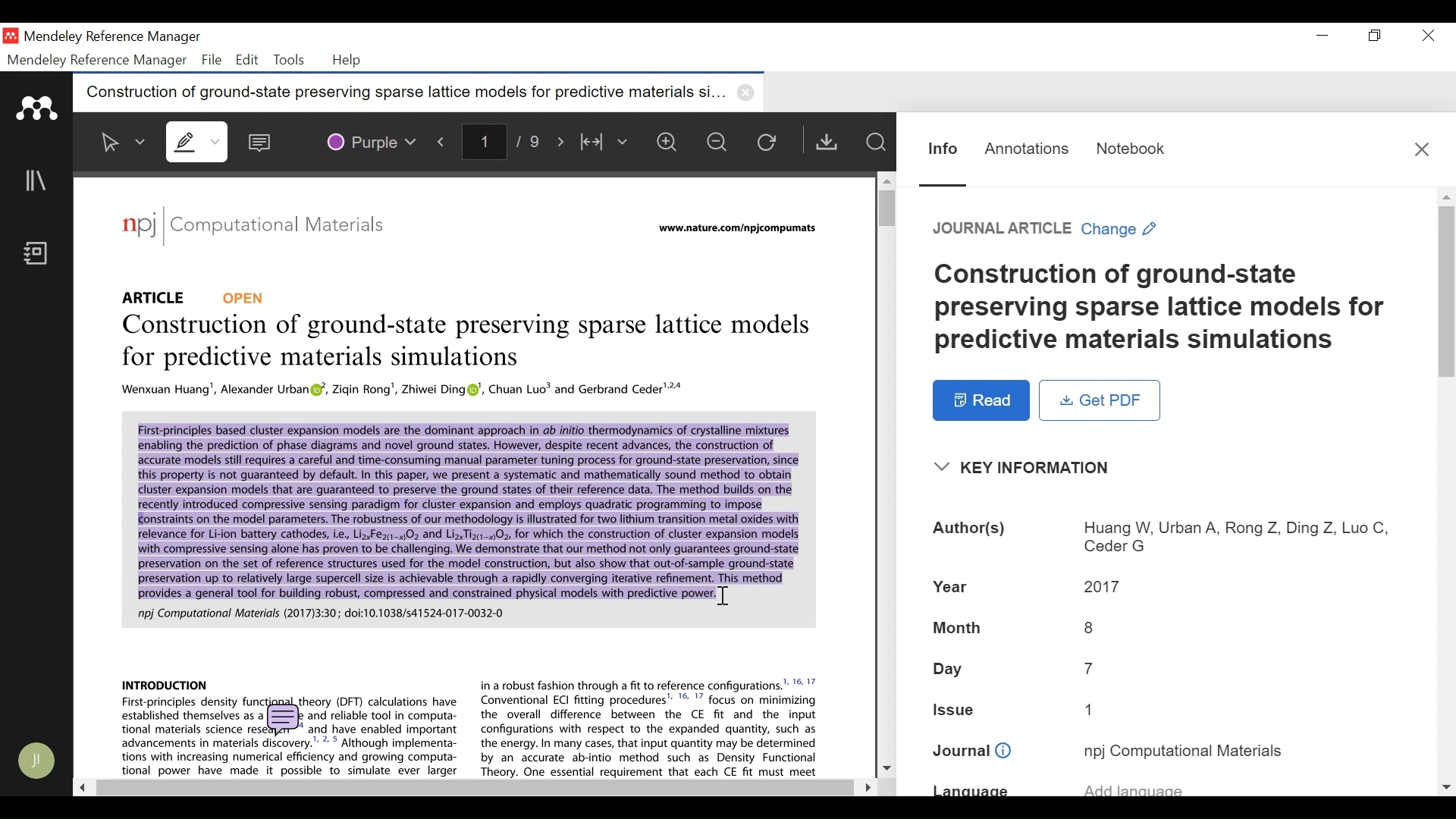 The width and height of the screenshot is (1456, 819). I want to click on Zoom in, so click(671, 142).